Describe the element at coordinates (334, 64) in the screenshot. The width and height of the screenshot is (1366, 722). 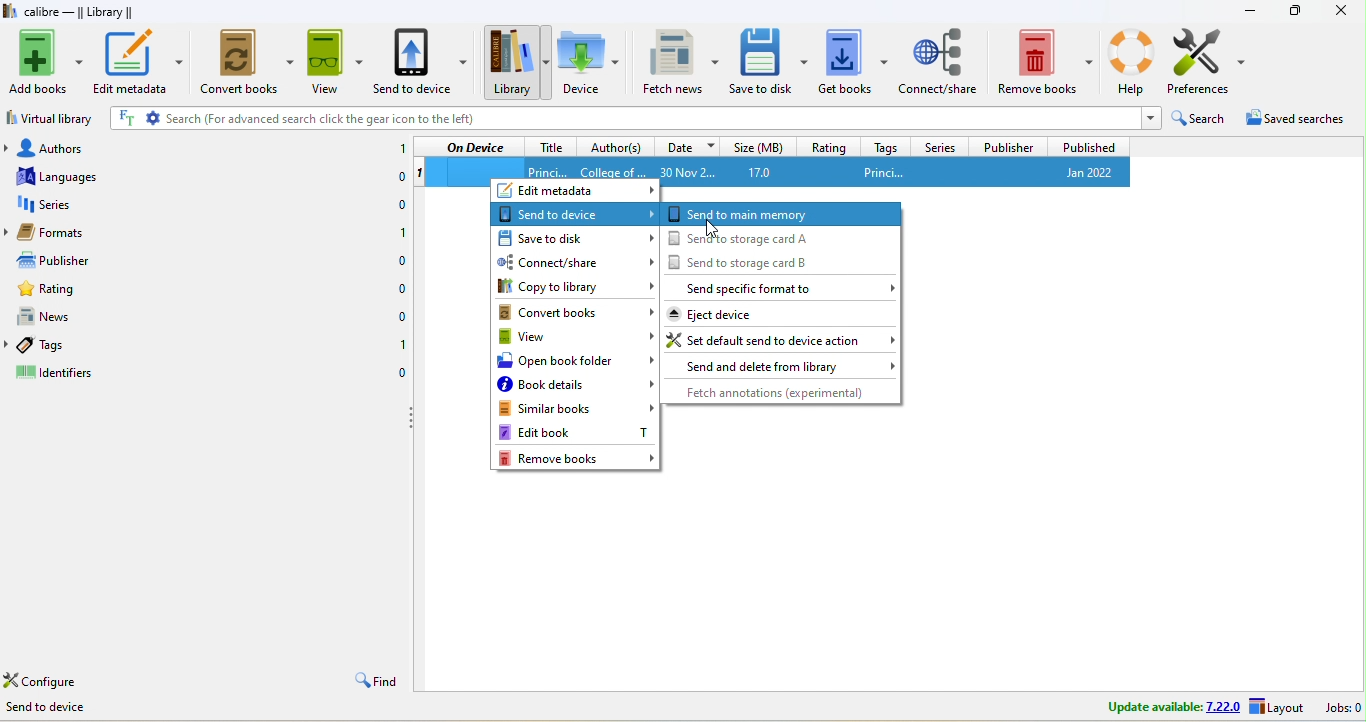
I see `view` at that location.